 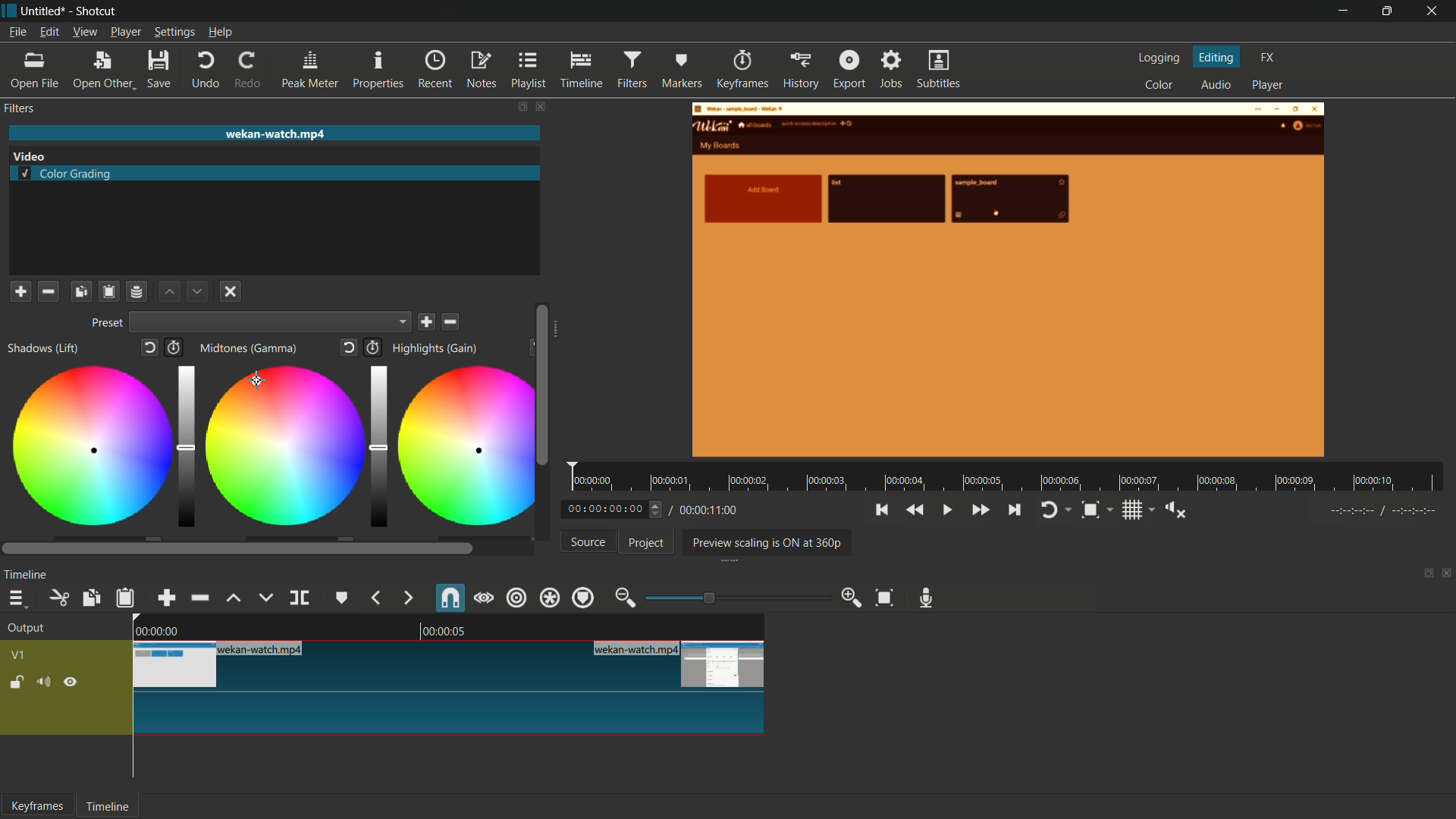 What do you see at coordinates (300, 598) in the screenshot?
I see `split at playhead` at bounding box center [300, 598].